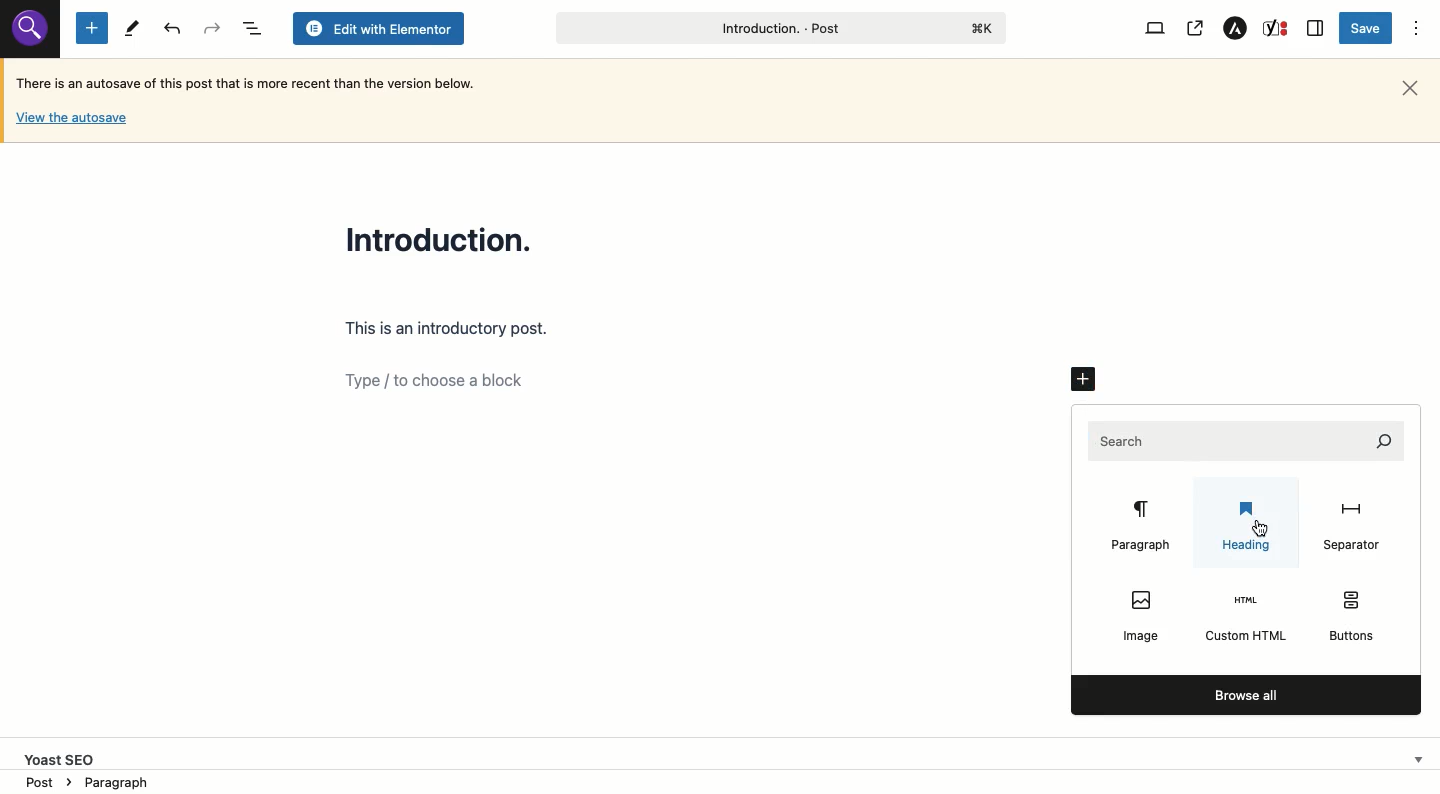  Describe the element at coordinates (1354, 618) in the screenshot. I see `Buttons` at that location.